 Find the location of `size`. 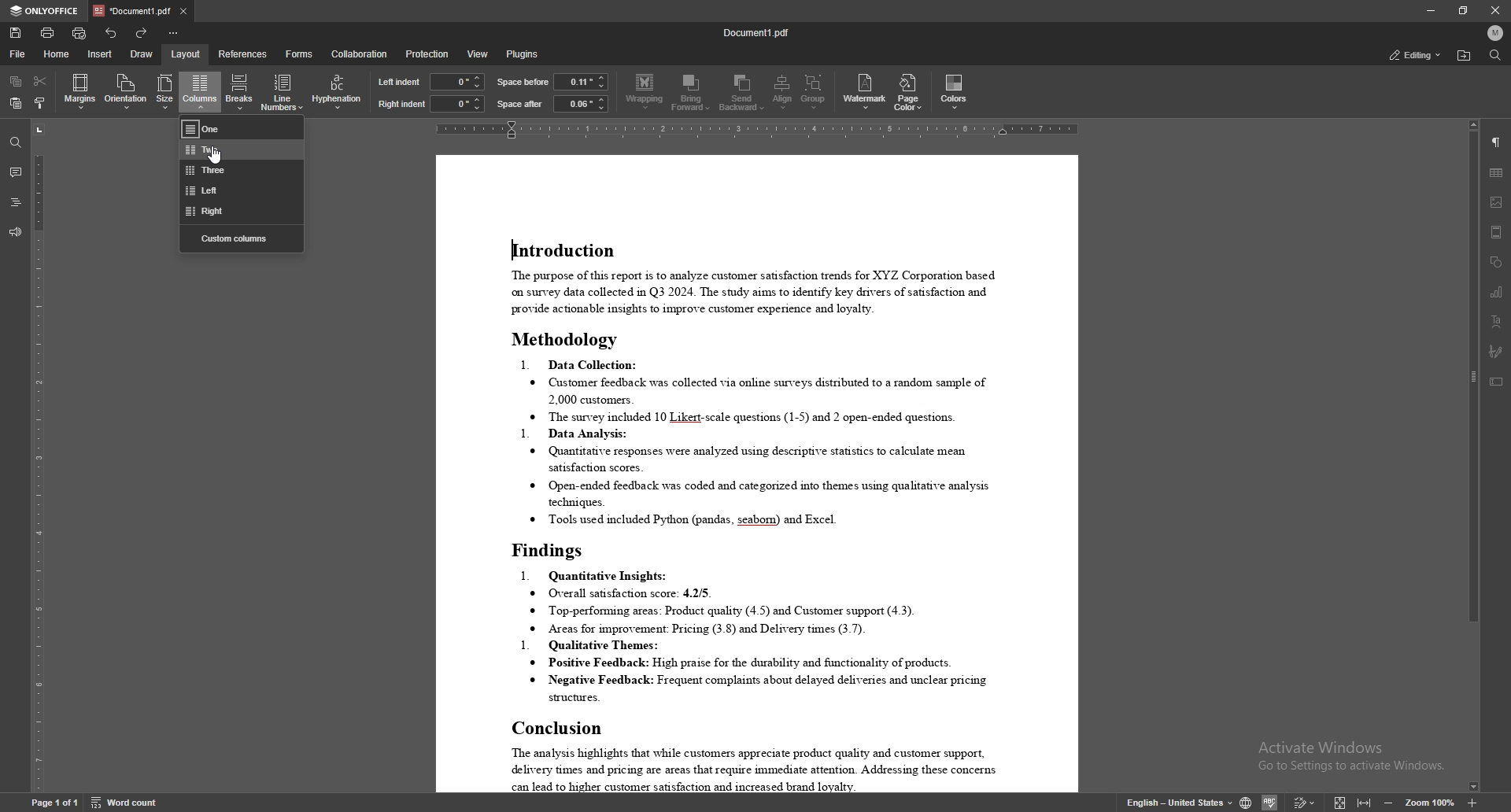

size is located at coordinates (166, 92).